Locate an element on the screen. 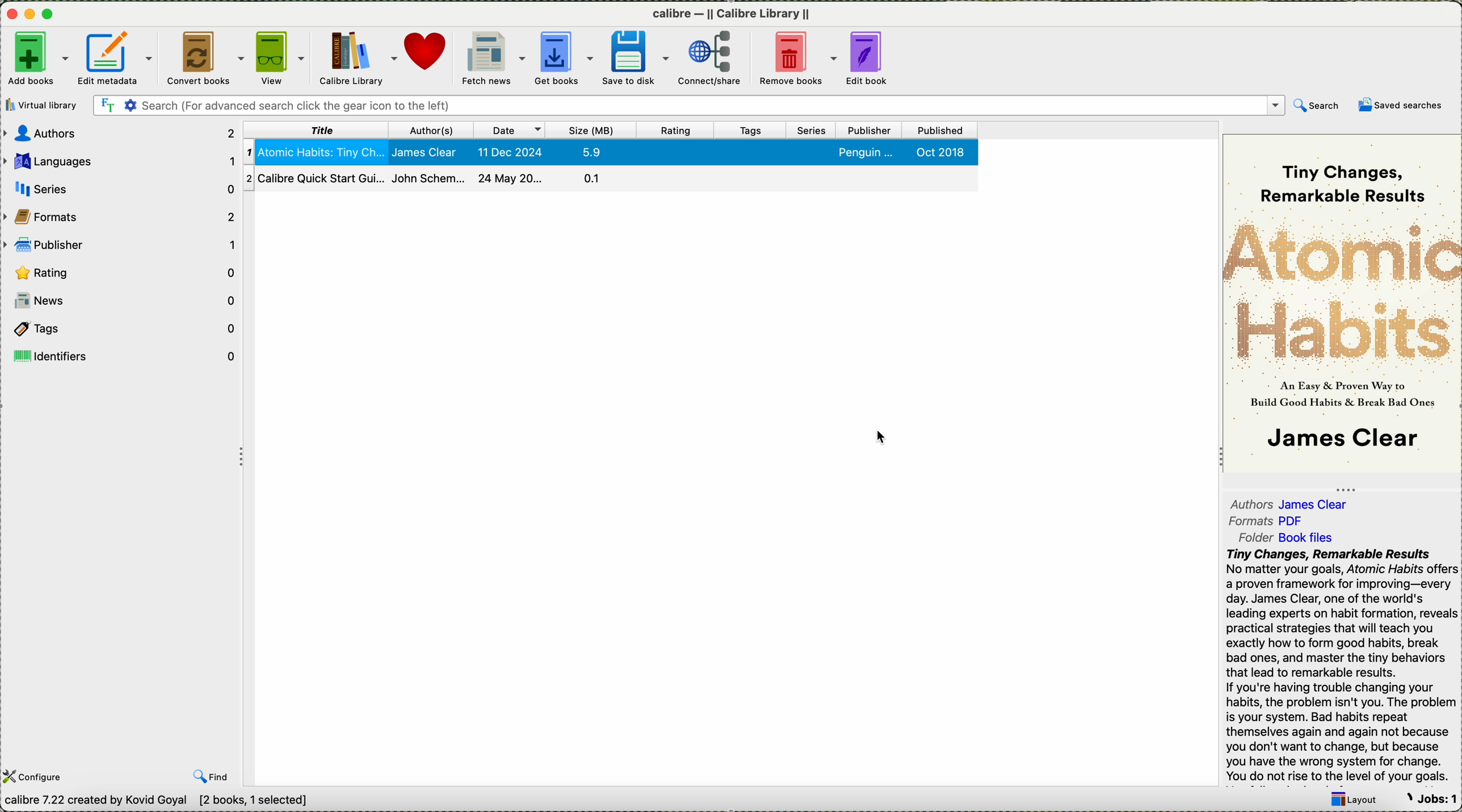 The width and height of the screenshot is (1462, 812). configure is located at coordinates (35, 777).